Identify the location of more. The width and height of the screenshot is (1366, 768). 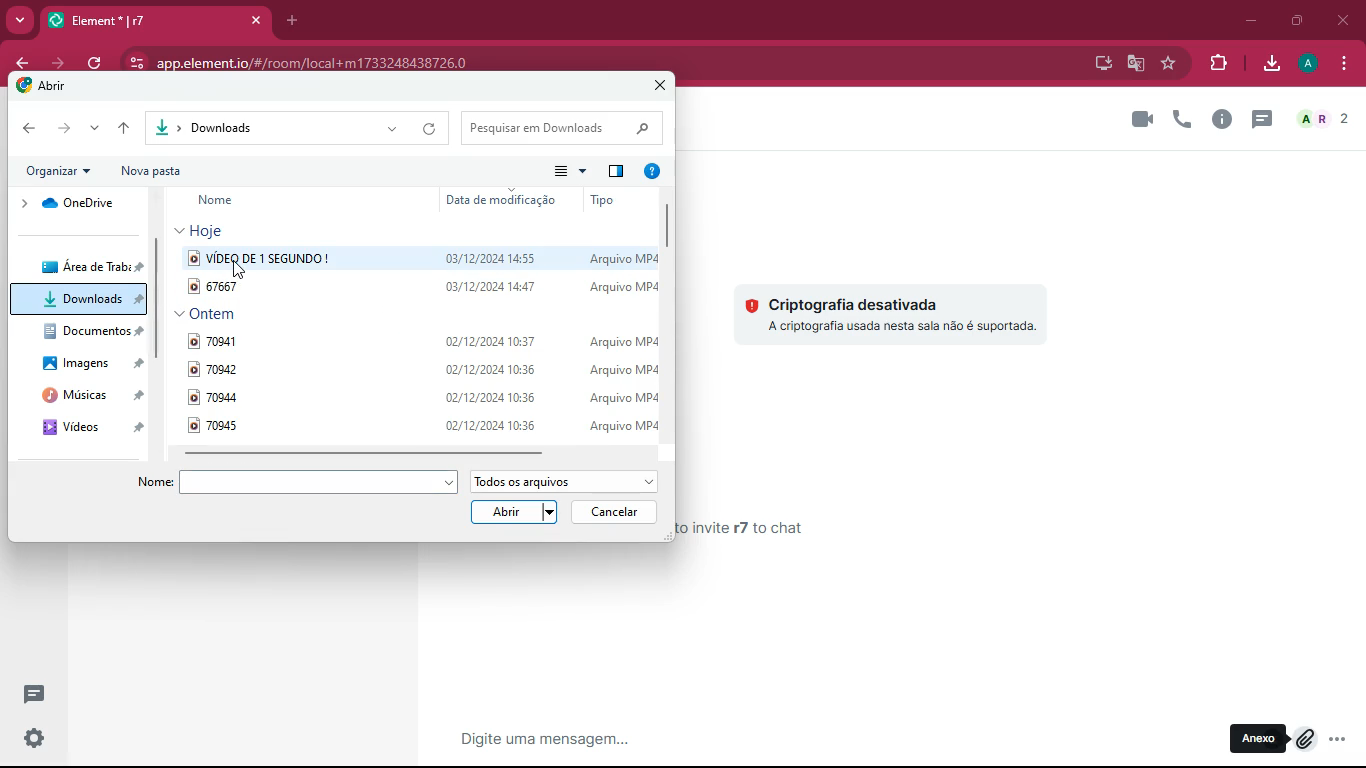
(95, 128).